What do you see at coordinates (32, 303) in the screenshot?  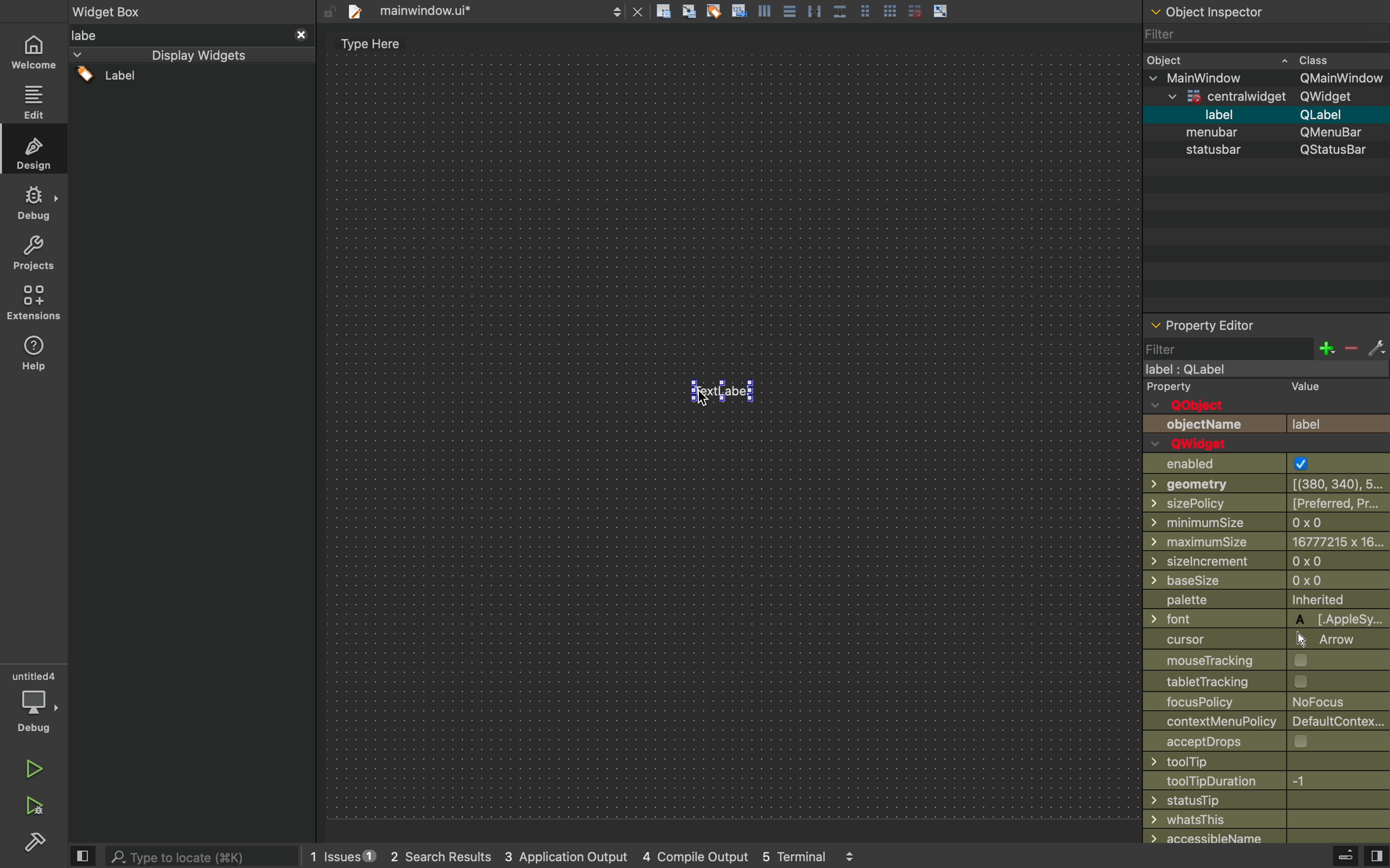 I see `environmnt` at bounding box center [32, 303].